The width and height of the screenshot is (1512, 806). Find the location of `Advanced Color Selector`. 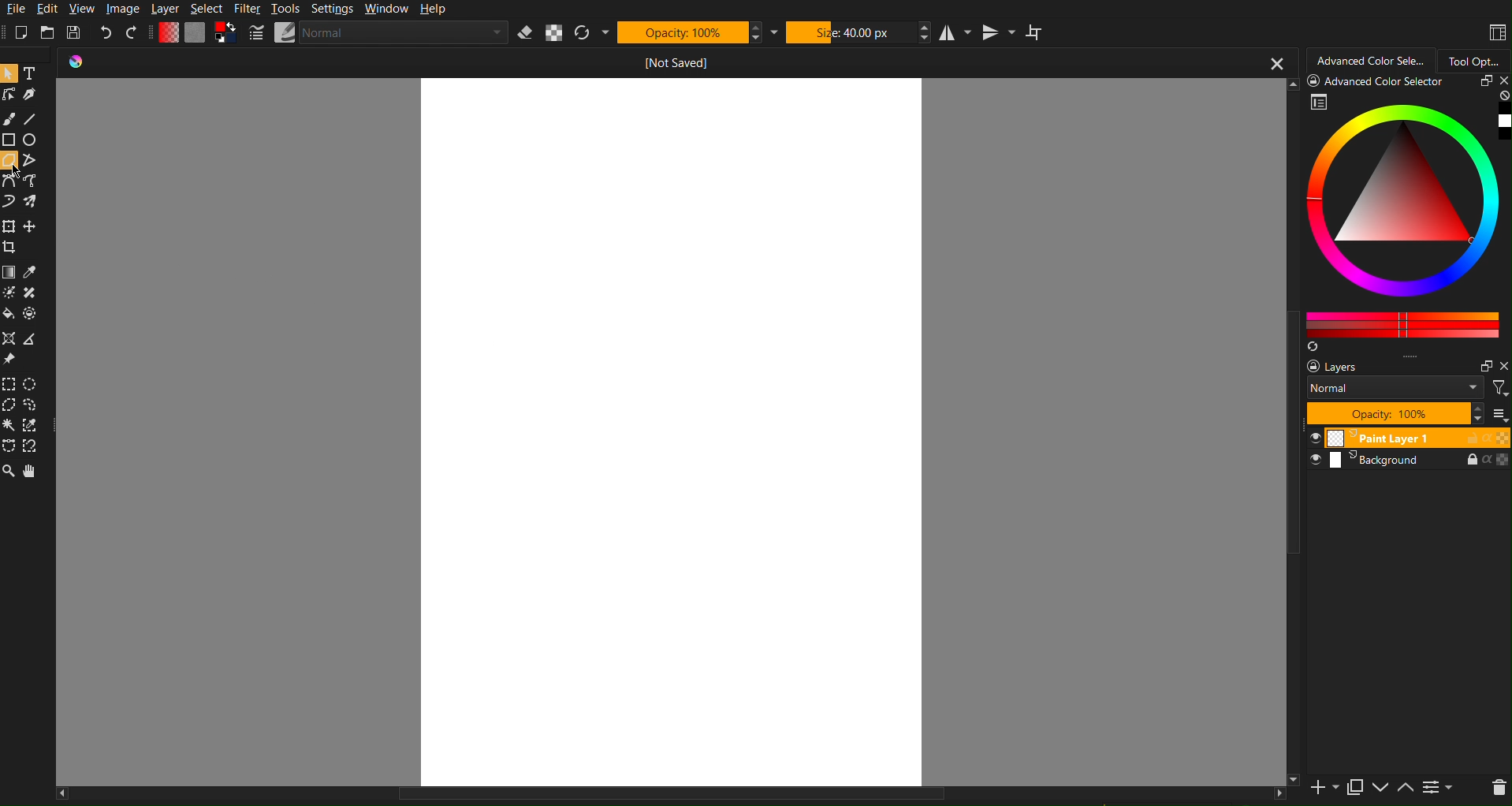

Advanced Color Selector is located at coordinates (1409, 216).